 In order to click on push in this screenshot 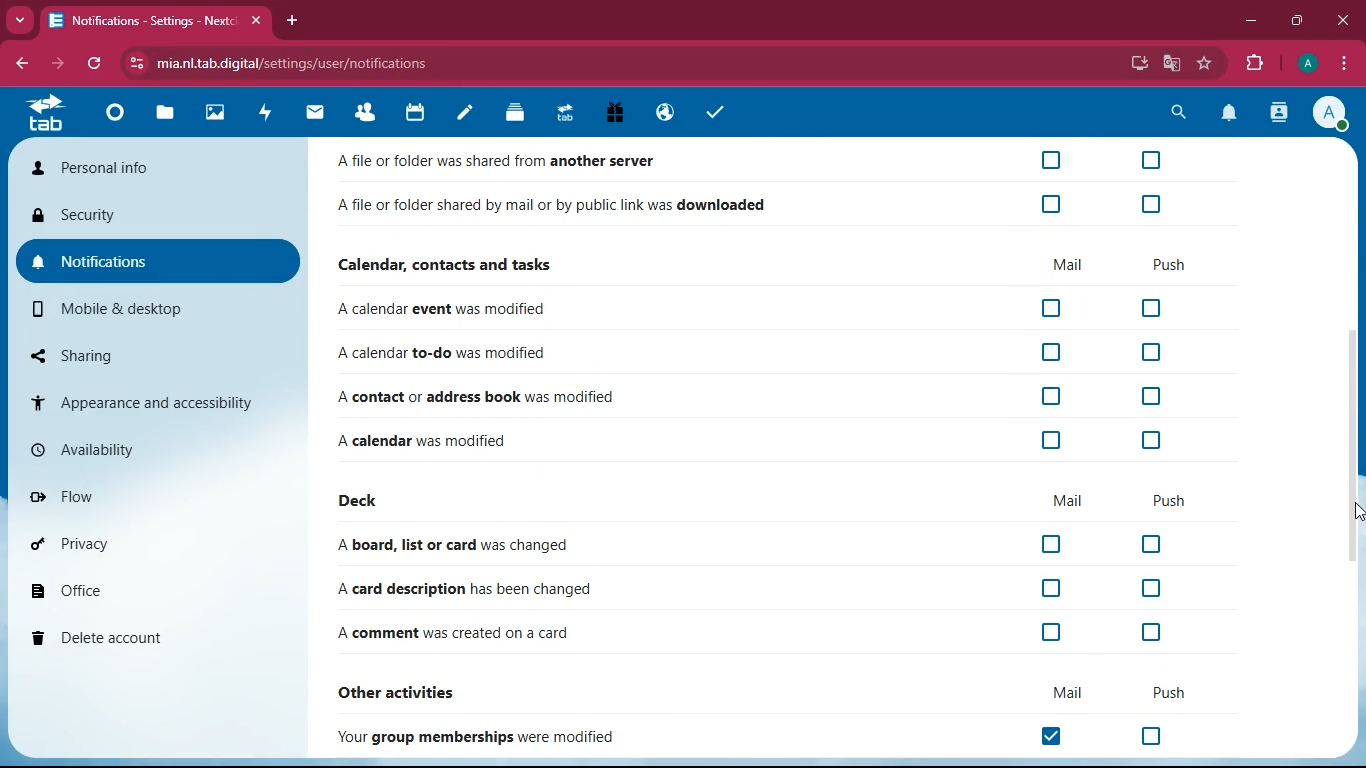, I will do `click(1163, 691)`.